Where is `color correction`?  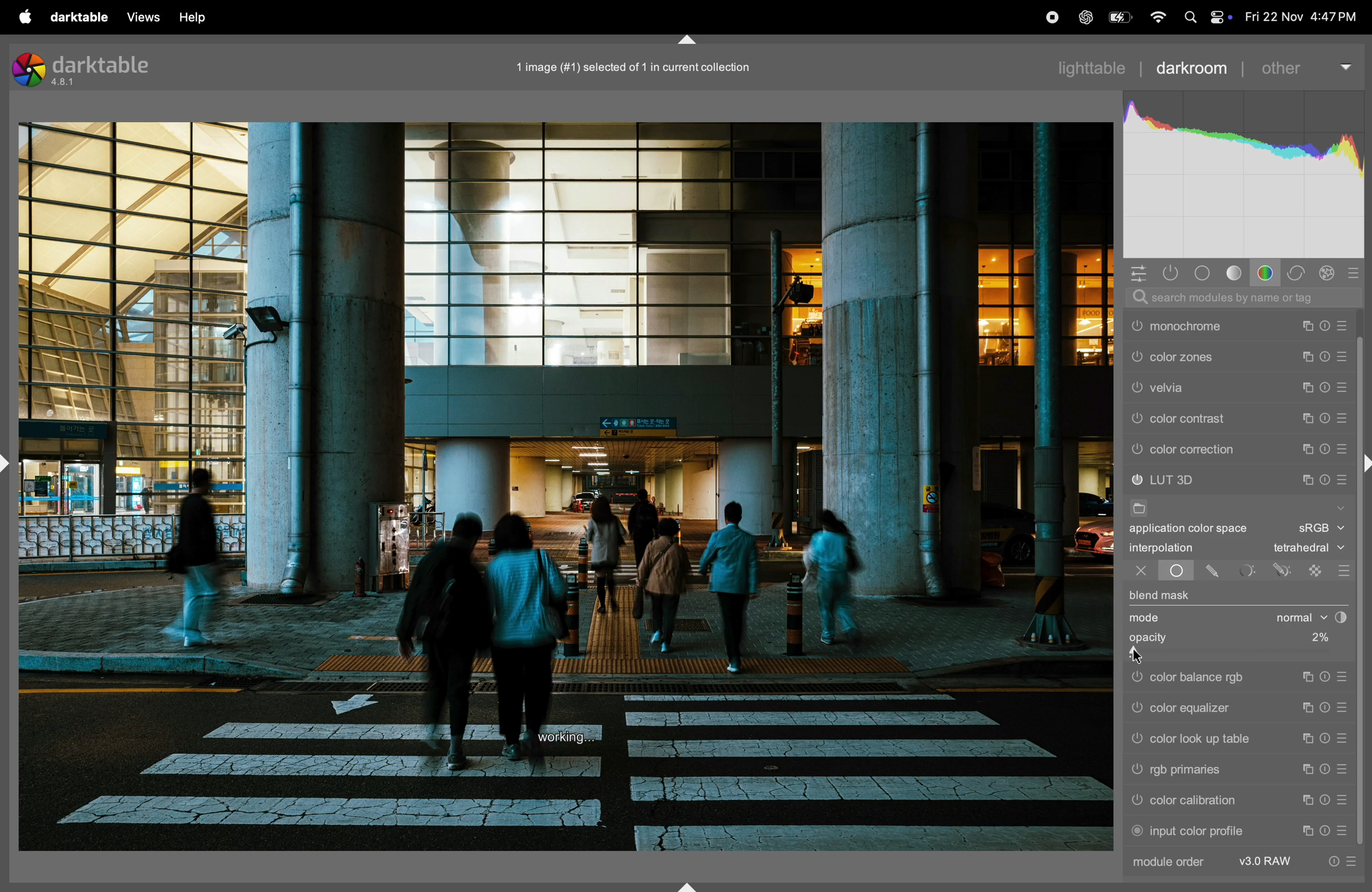 color correction is located at coordinates (1220, 449).